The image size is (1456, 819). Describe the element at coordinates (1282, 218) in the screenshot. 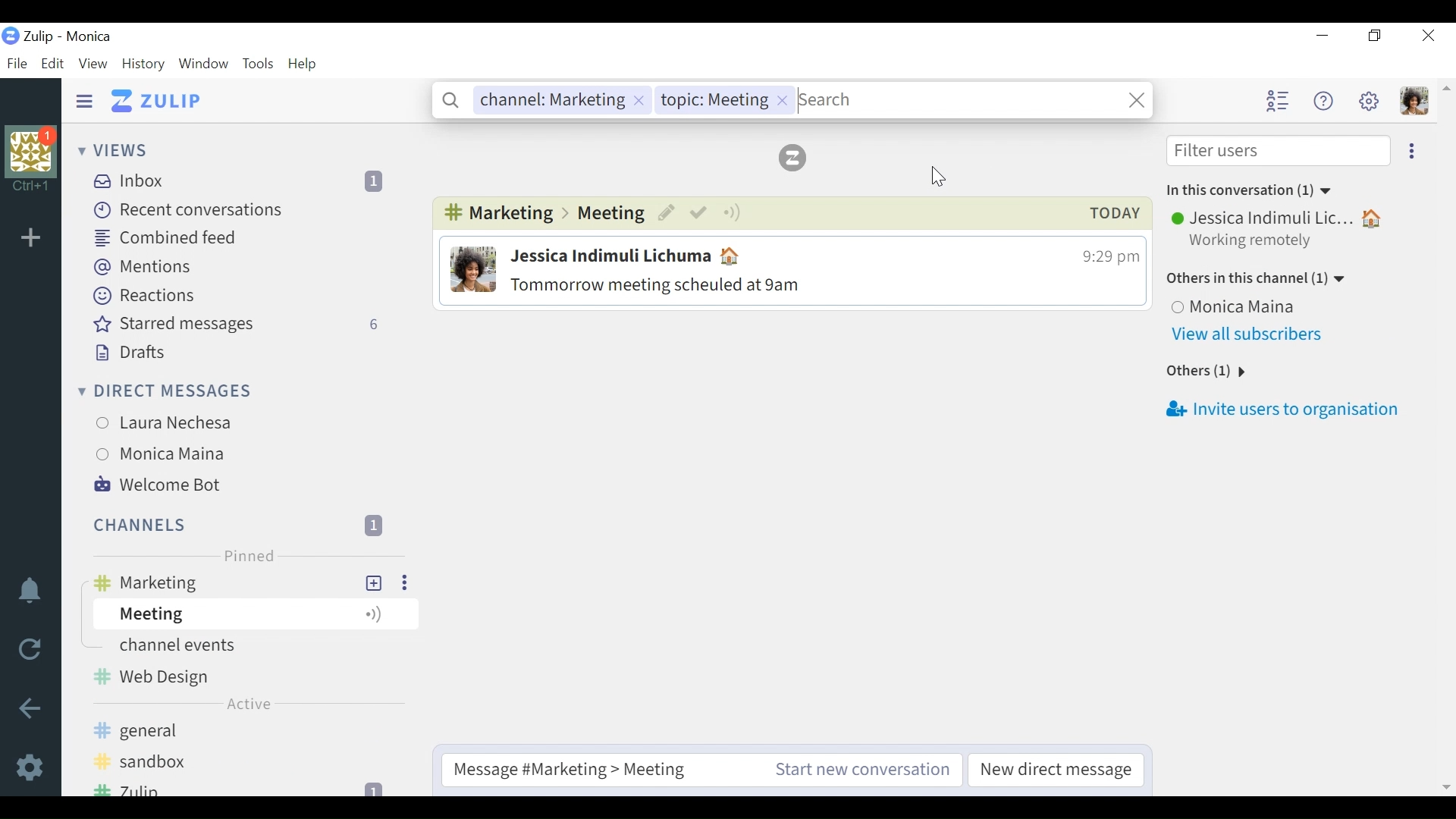

I see `Jessica Indimuli Lic...` at that location.